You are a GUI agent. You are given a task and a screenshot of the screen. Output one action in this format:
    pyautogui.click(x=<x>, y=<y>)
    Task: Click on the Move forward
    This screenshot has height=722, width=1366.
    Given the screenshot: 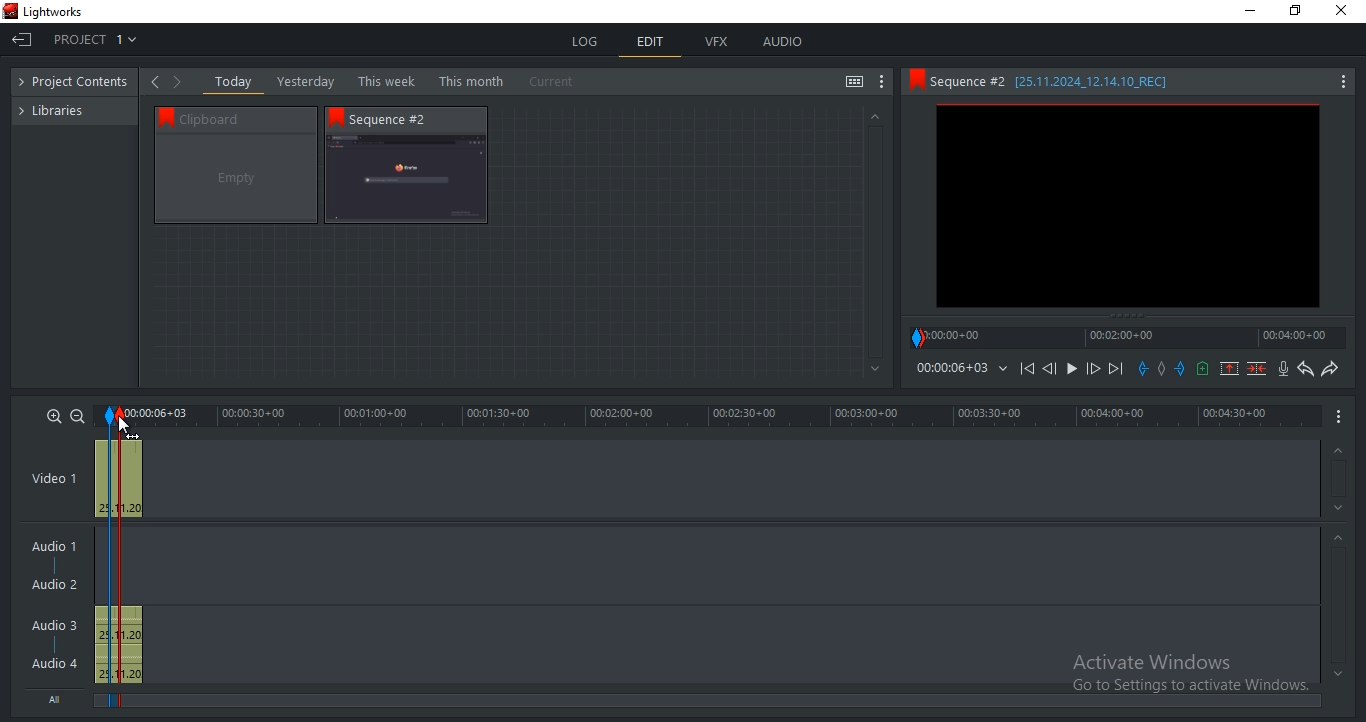 What is the action you would take?
    pyautogui.click(x=1115, y=369)
    